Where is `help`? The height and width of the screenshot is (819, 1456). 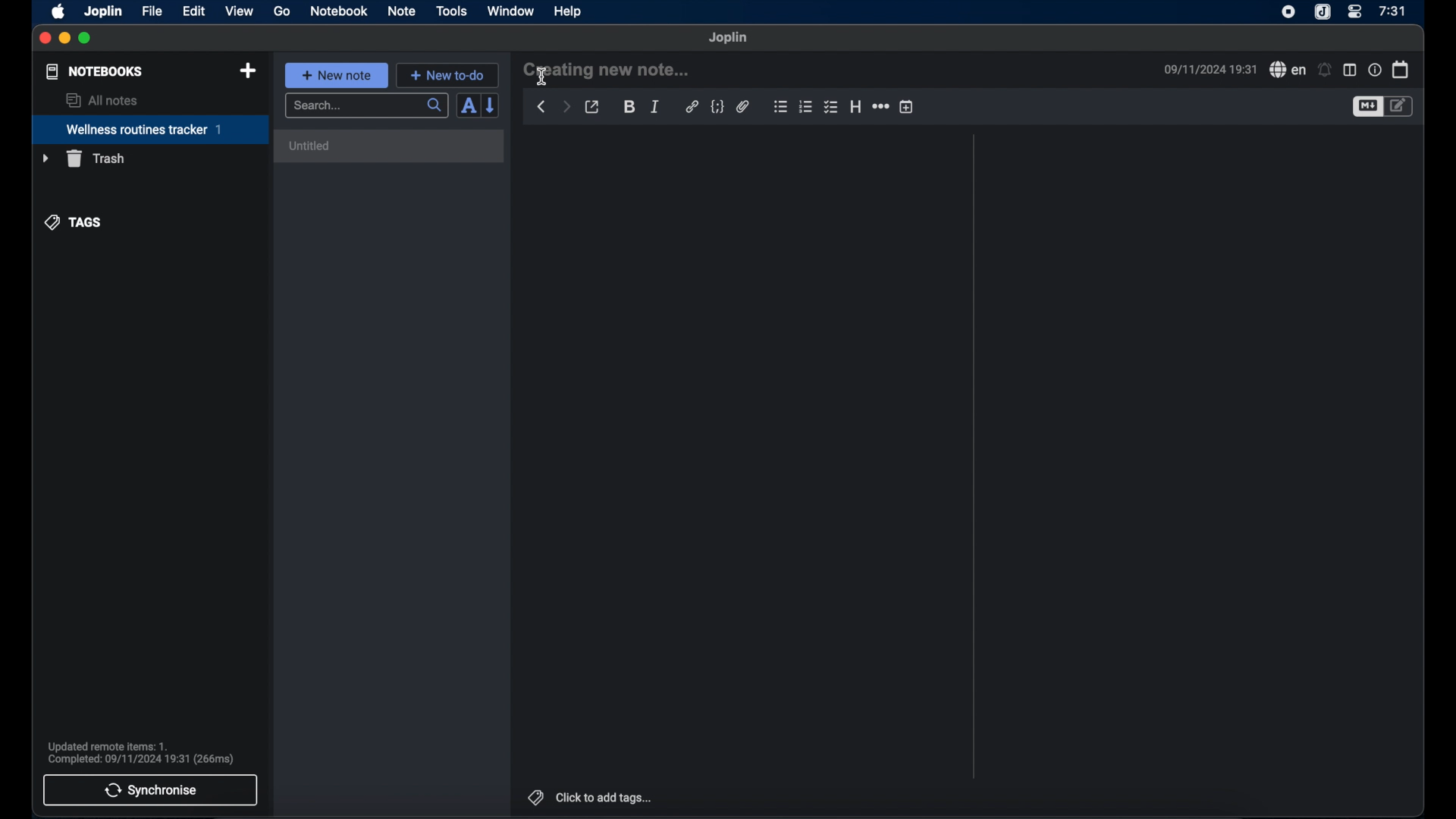
help is located at coordinates (569, 11).